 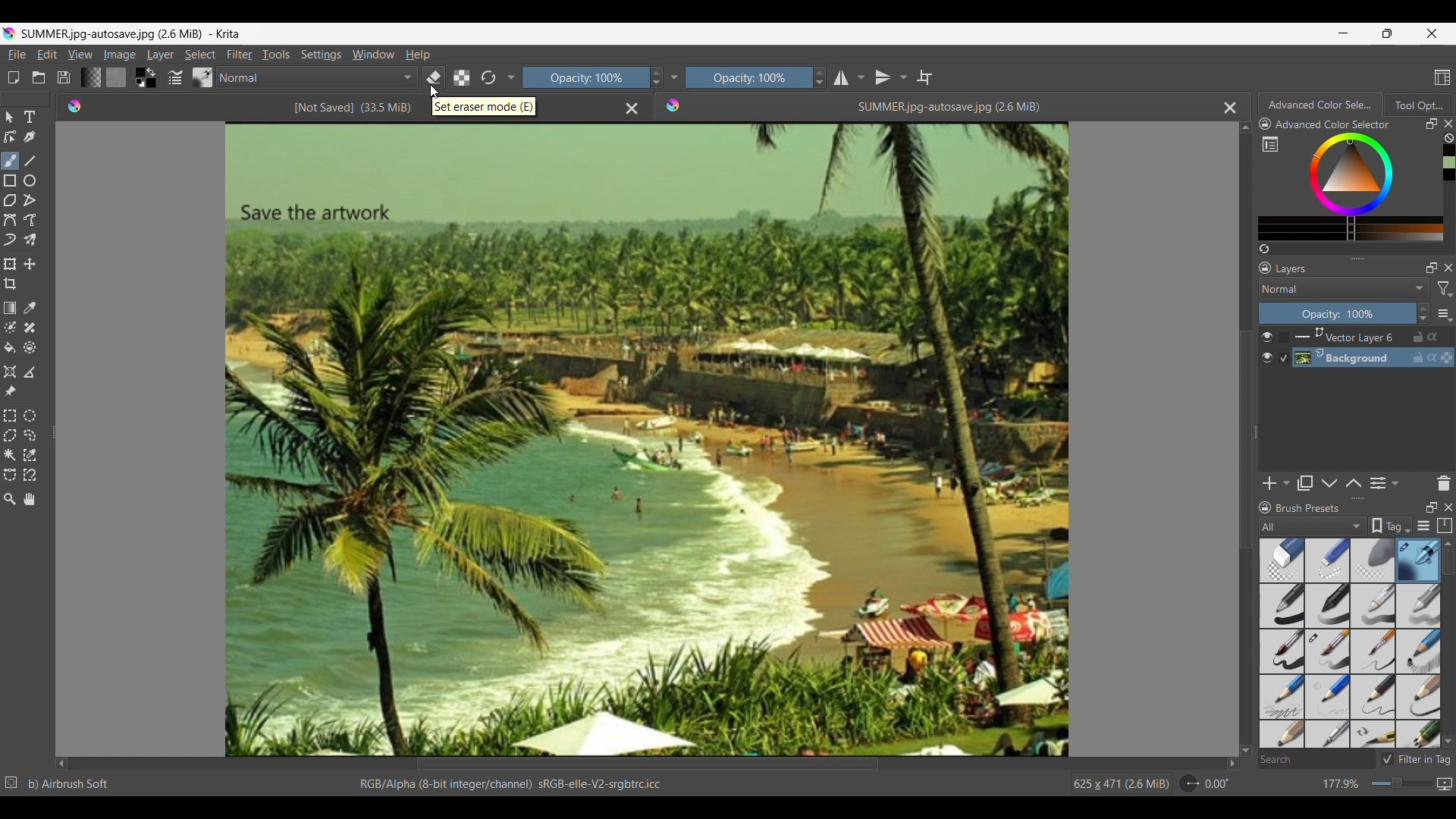 What do you see at coordinates (11, 307) in the screenshot?
I see `Draw a gradient` at bounding box center [11, 307].